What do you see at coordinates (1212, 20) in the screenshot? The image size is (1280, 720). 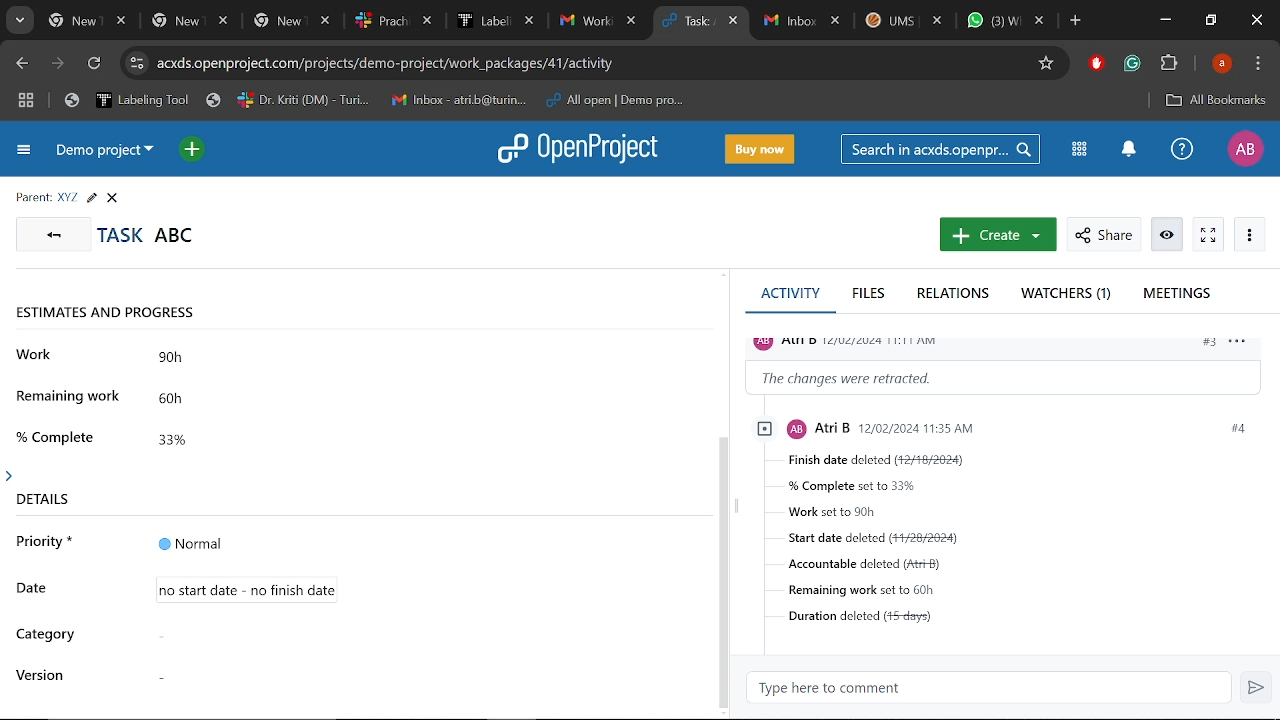 I see `Restore down` at bounding box center [1212, 20].